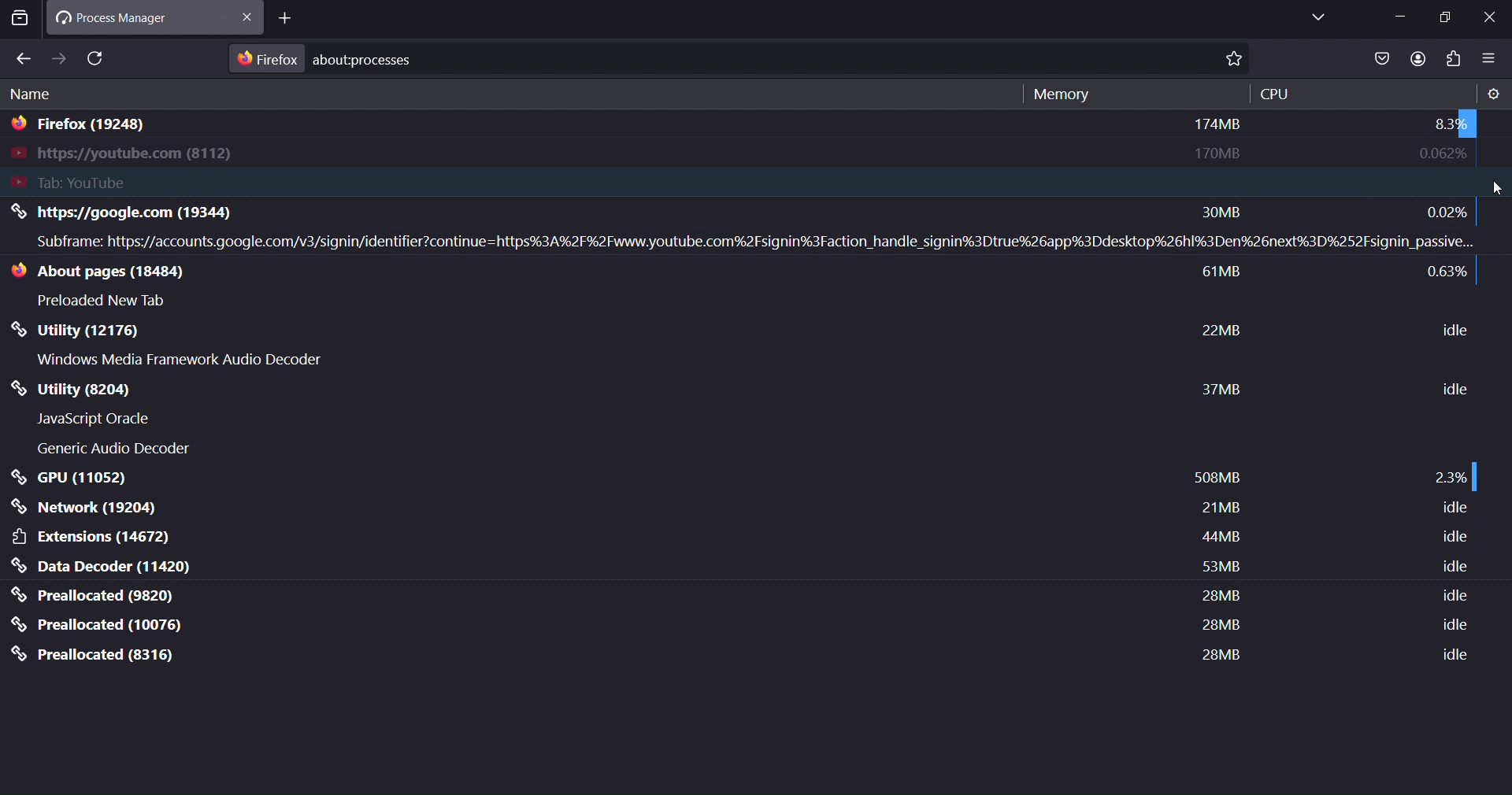  I want to click on memory, so click(1058, 94).